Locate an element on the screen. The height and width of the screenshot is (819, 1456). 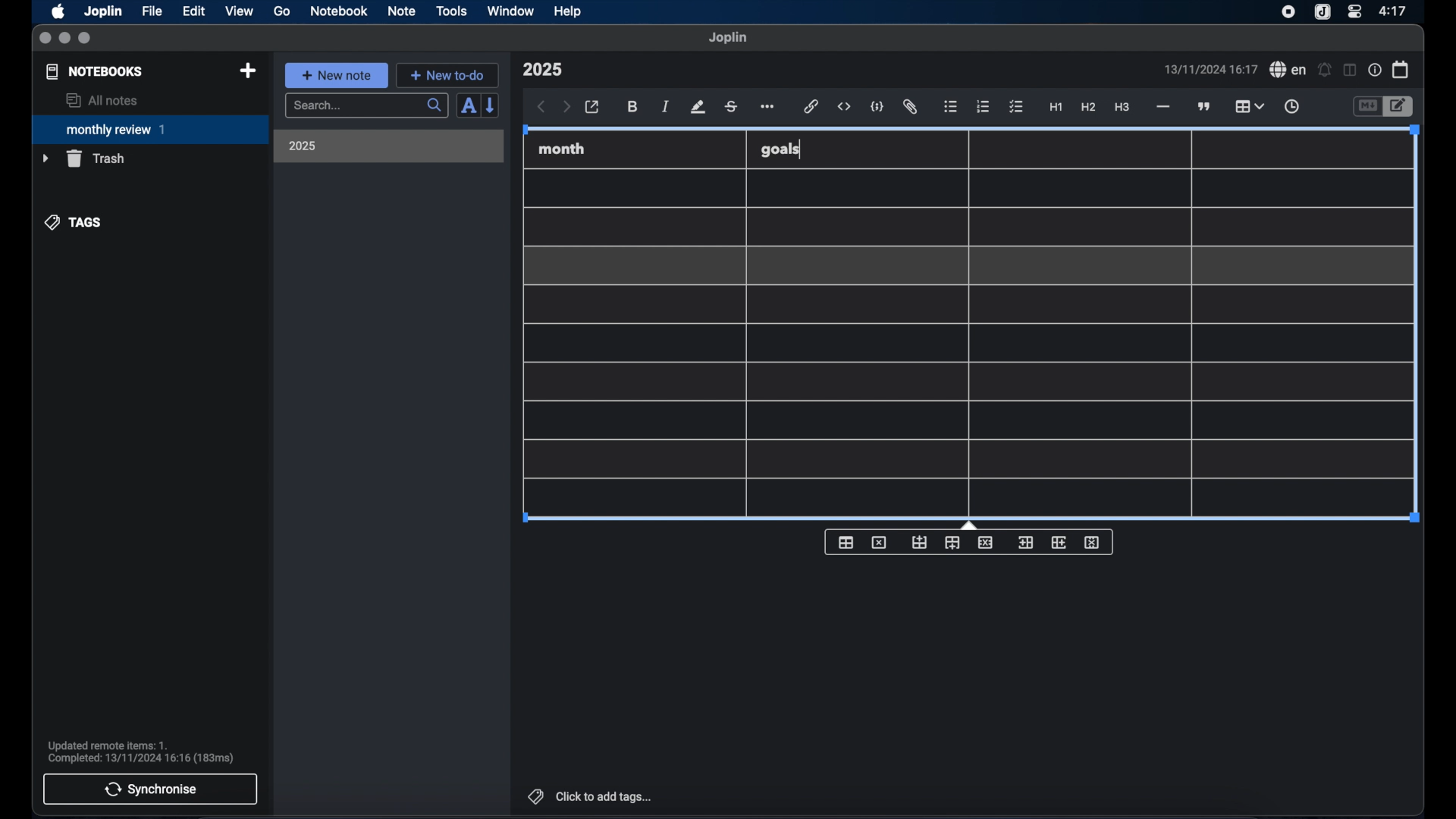
heading 2 is located at coordinates (1089, 108).